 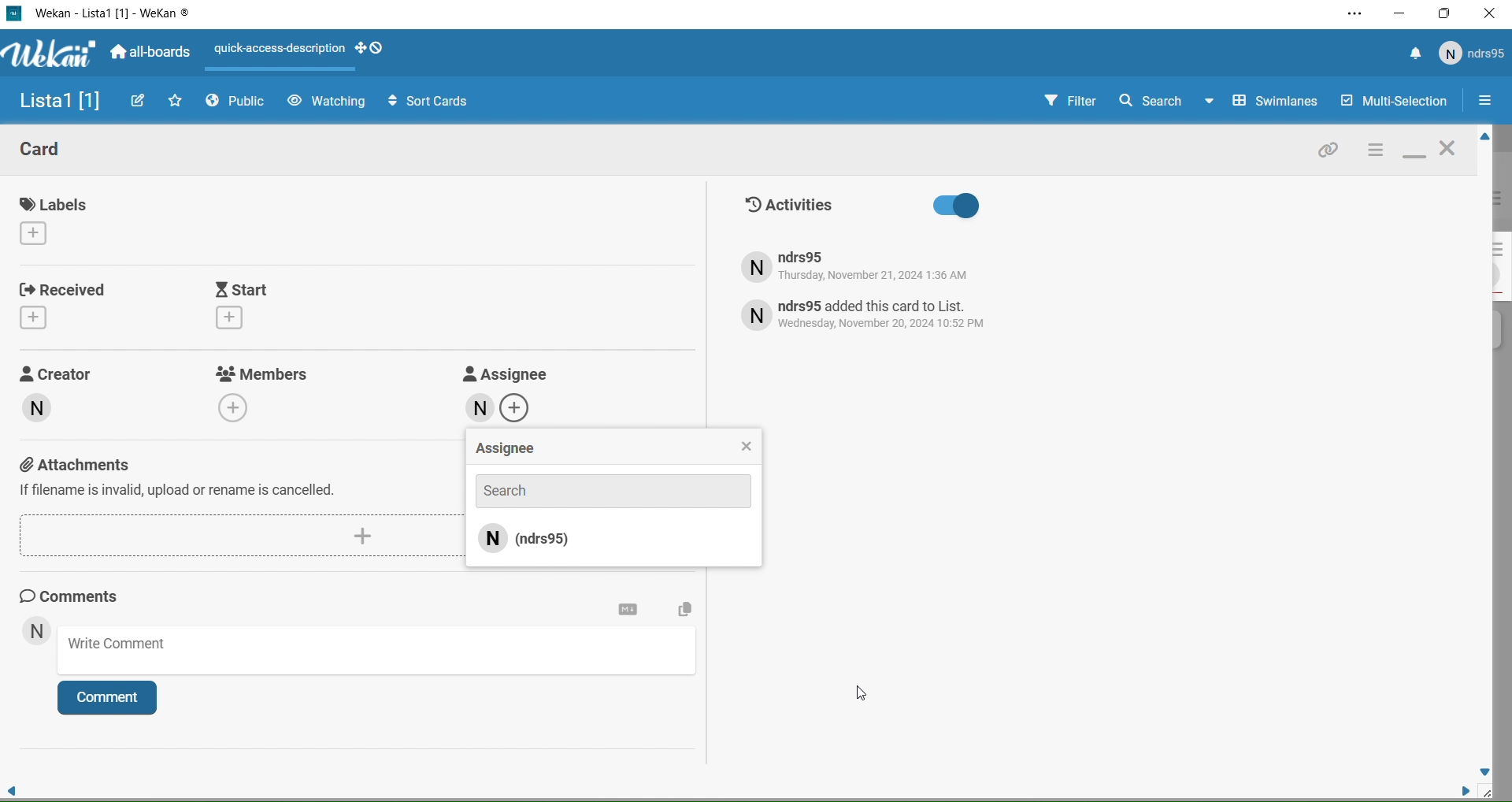 I want to click on Creator, so click(x=73, y=403).